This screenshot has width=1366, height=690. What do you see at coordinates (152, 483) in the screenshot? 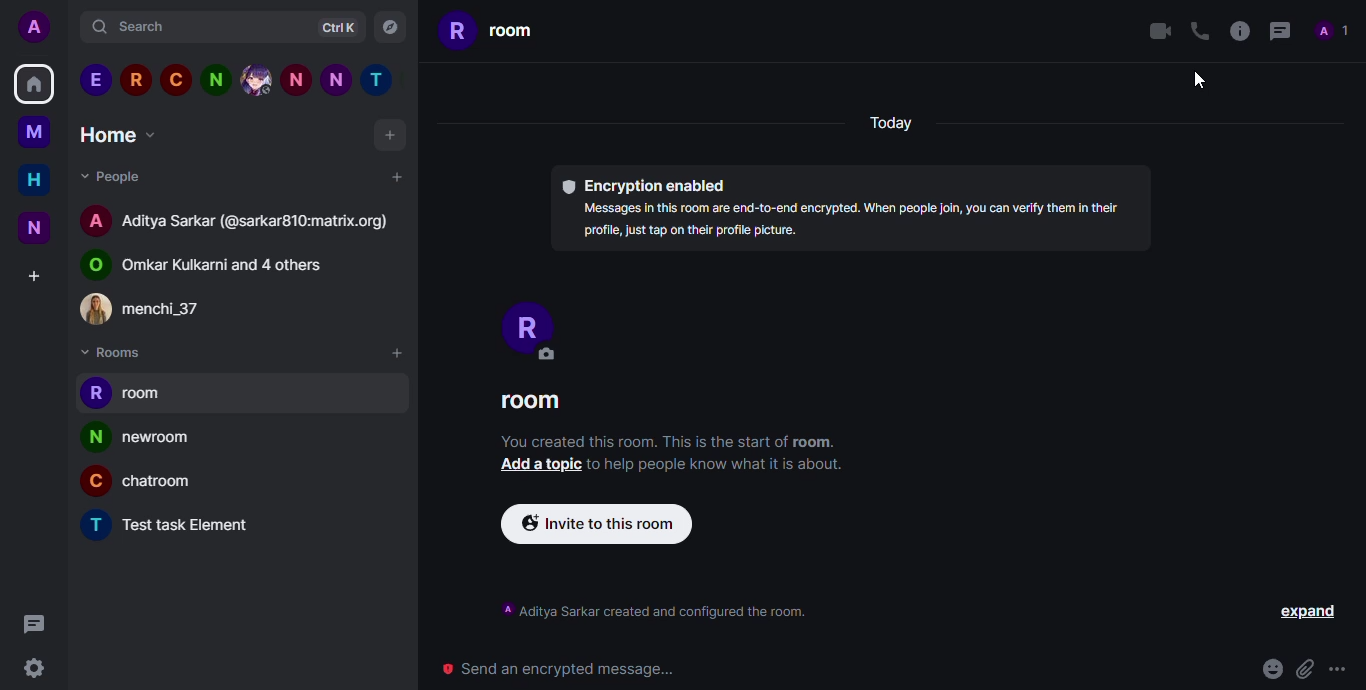
I see `chatroom` at bounding box center [152, 483].